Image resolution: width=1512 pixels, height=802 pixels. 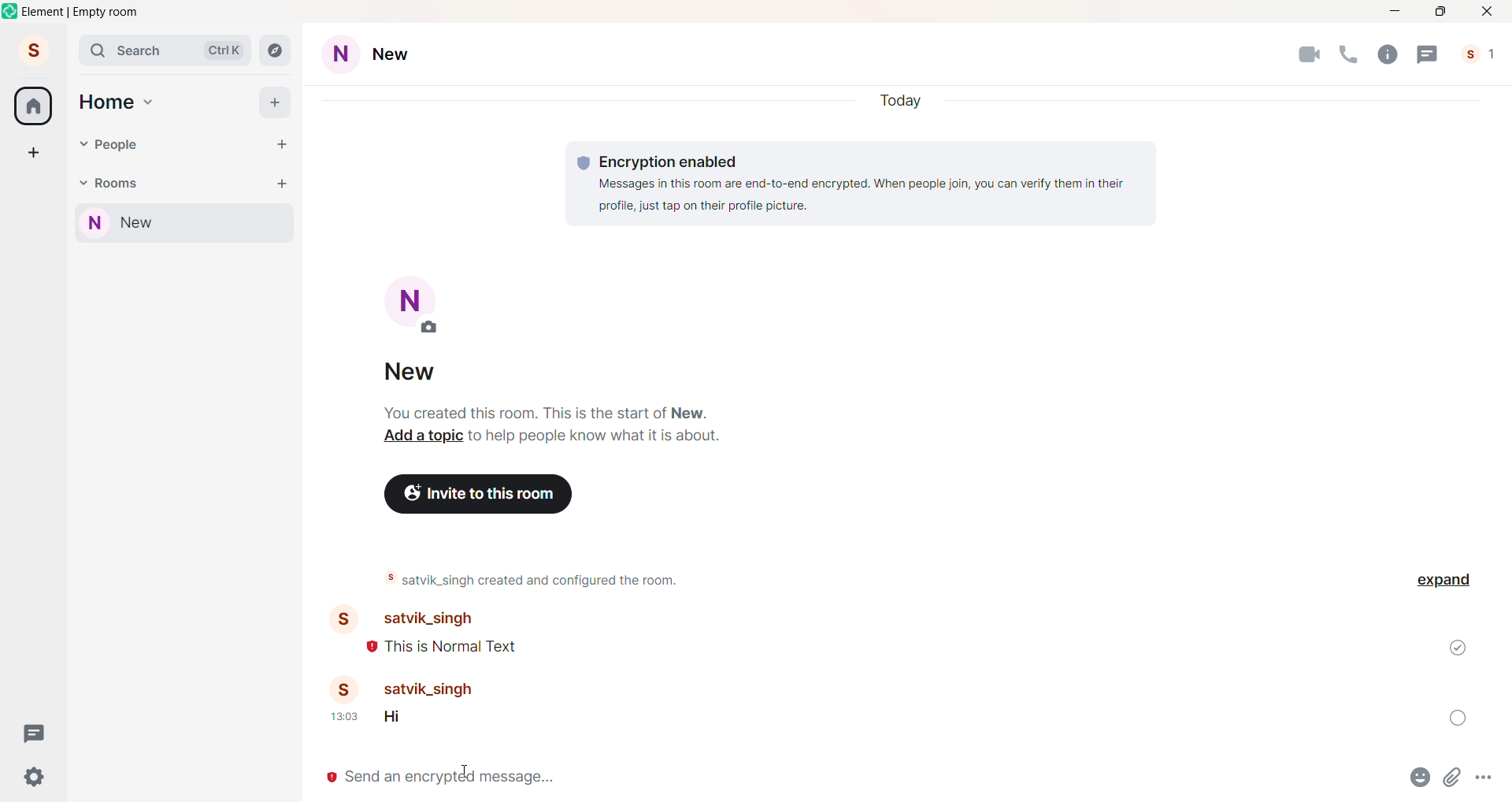 What do you see at coordinates (547, 424) in the screenshot?
I see `You created this room. This is the start of New.
Add a topic to help people know what it is about.` at bounding box center [547, 424].